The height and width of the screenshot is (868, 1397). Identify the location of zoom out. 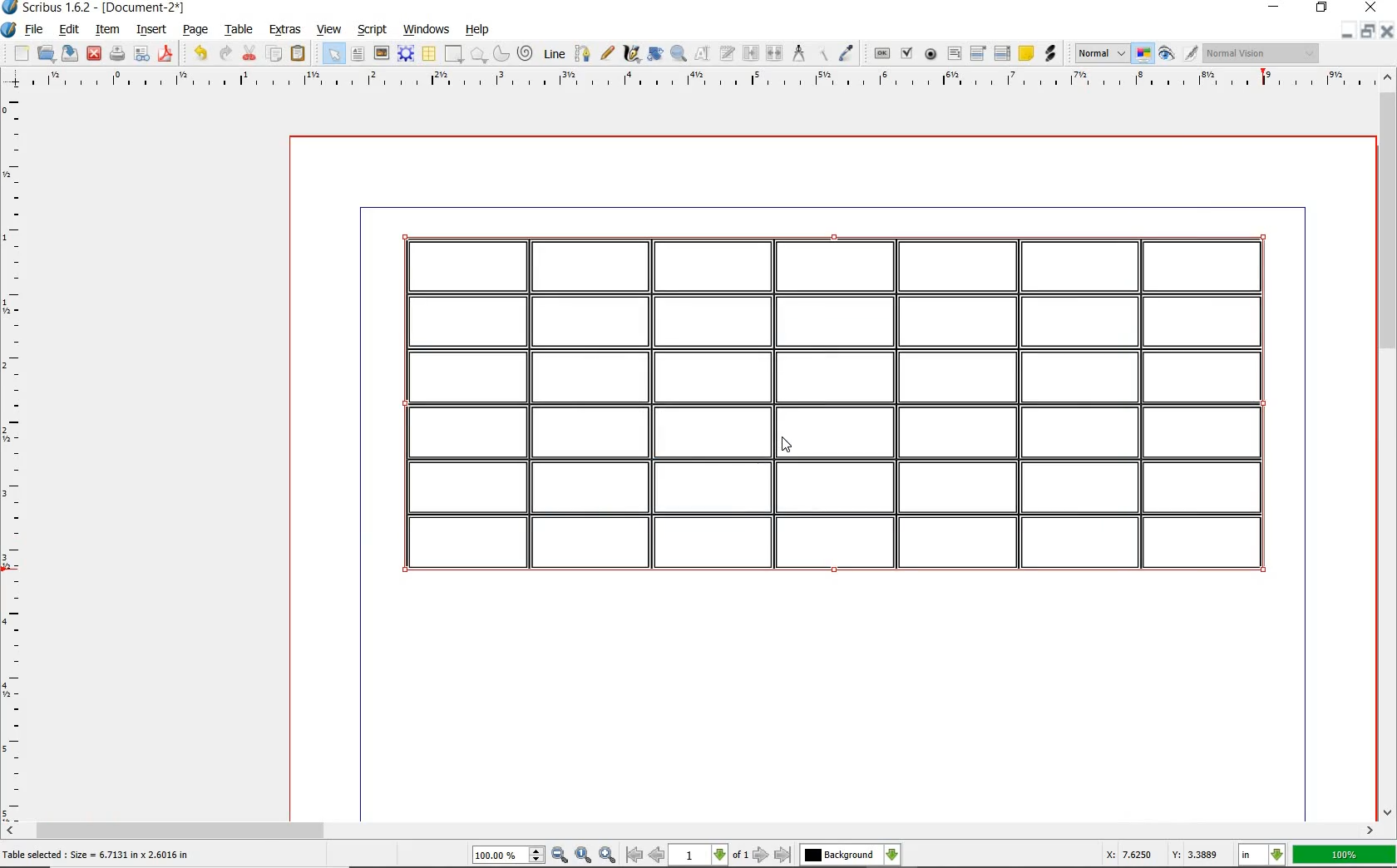
(560, 856).